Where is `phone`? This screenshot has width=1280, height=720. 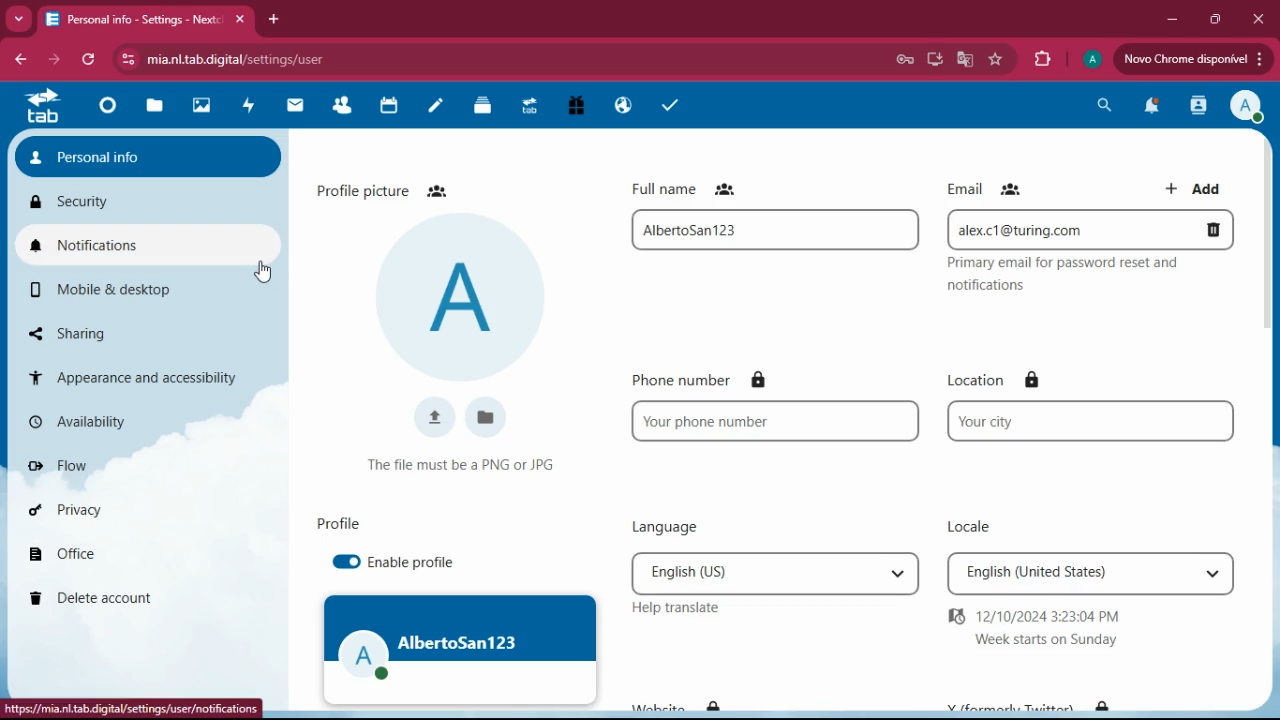 phone is located at coordinates (778, 422).